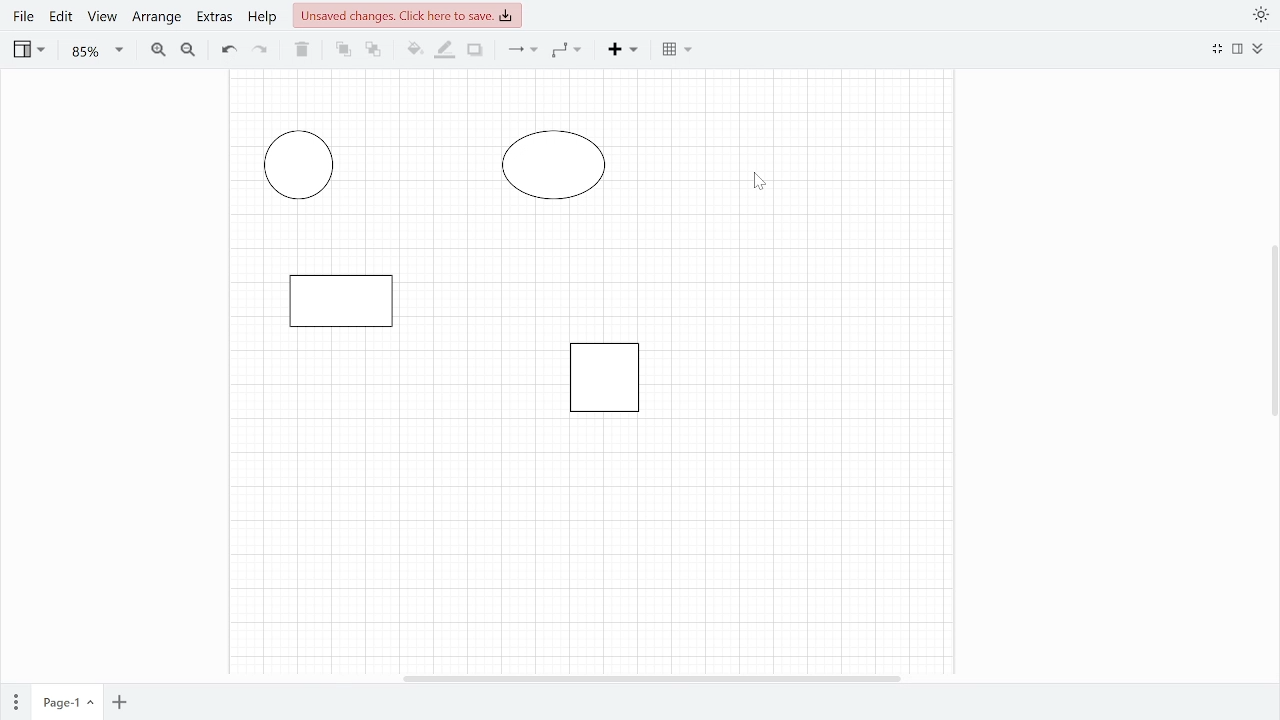  I want to click on elipse, so click(297, 164).